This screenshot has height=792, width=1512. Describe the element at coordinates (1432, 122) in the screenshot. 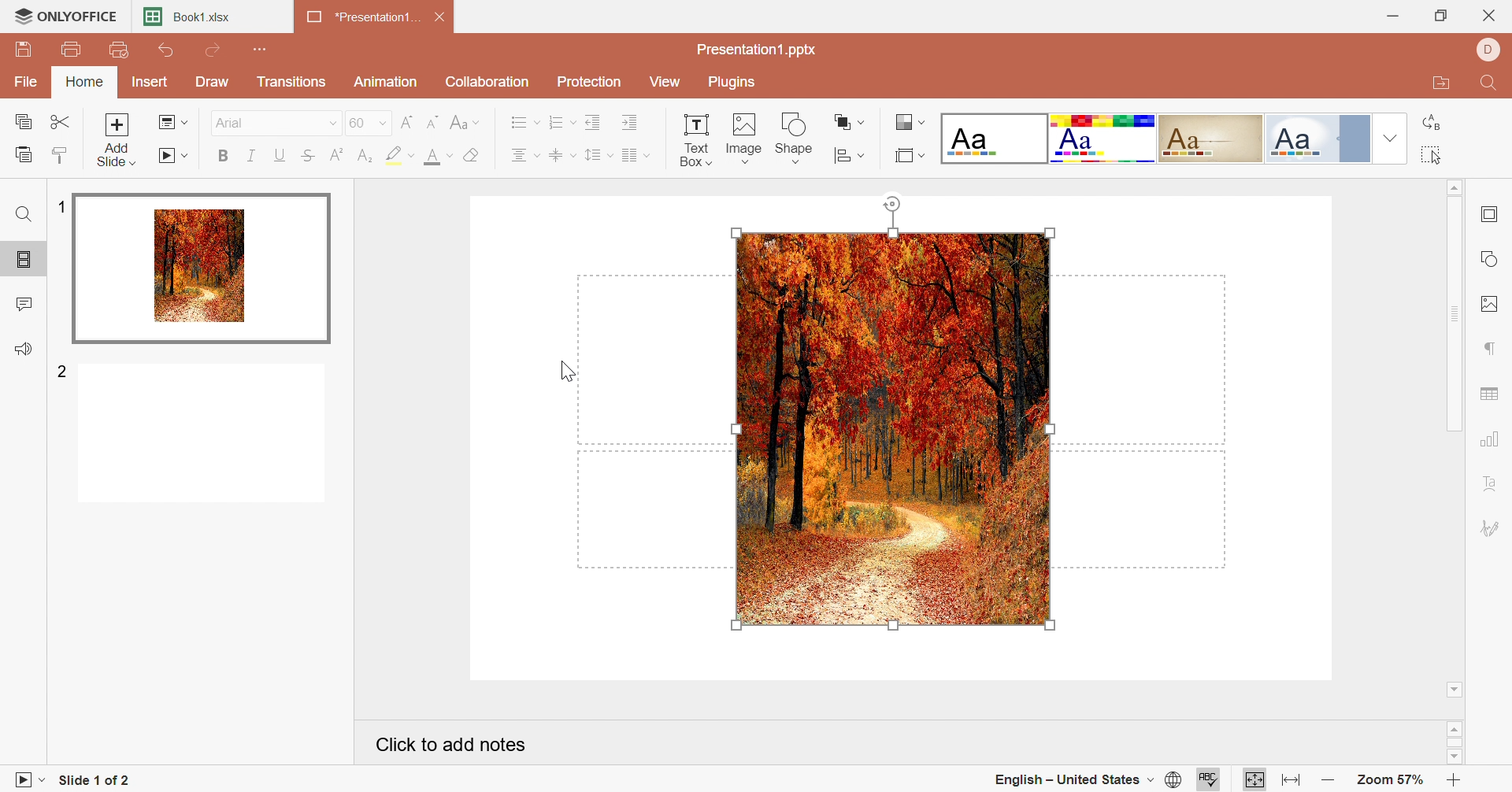

I see `Replace` at that location.